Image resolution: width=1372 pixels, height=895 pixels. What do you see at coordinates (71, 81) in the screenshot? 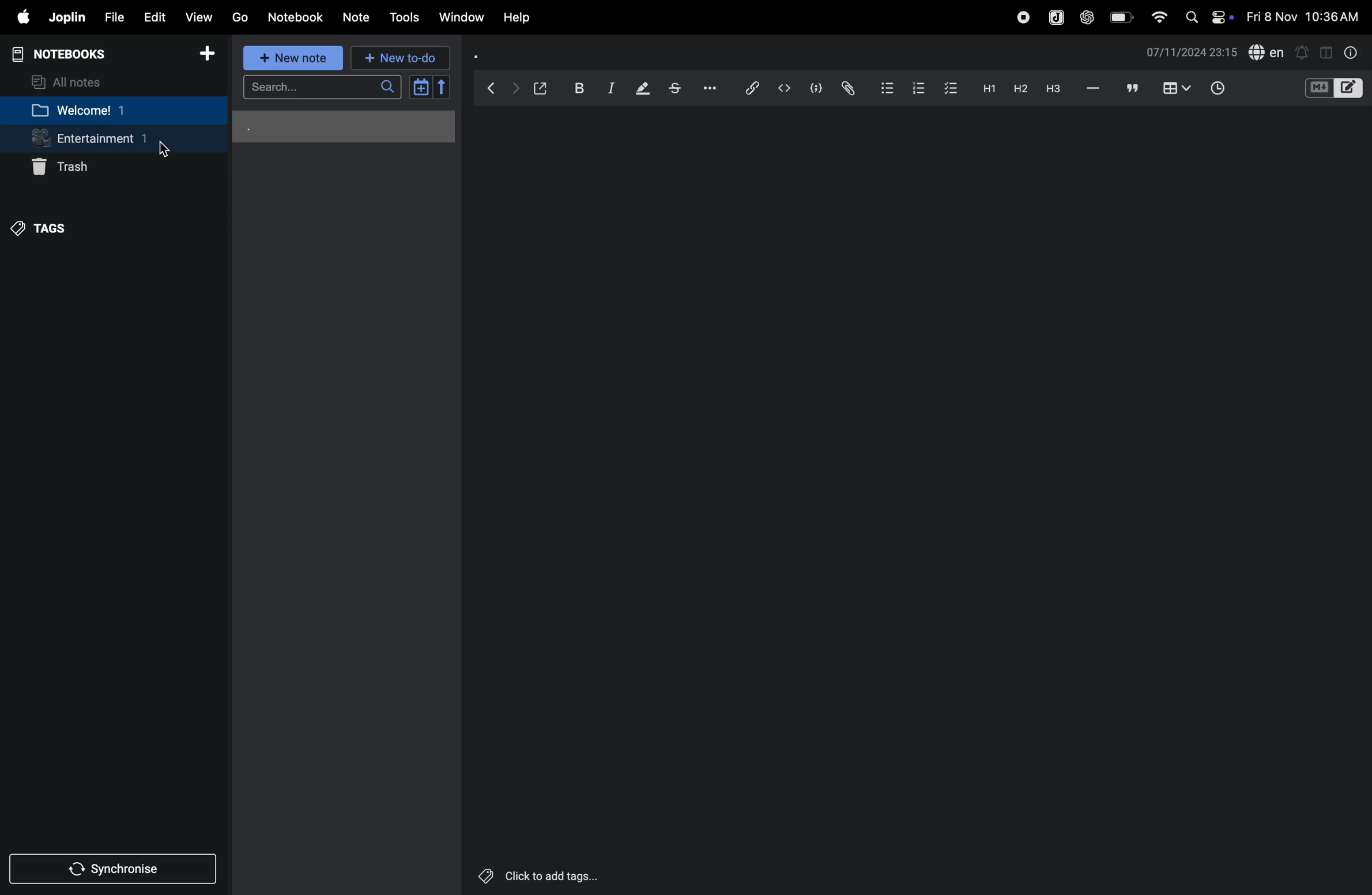
I see `all notes` at bounding box center [71, 81].